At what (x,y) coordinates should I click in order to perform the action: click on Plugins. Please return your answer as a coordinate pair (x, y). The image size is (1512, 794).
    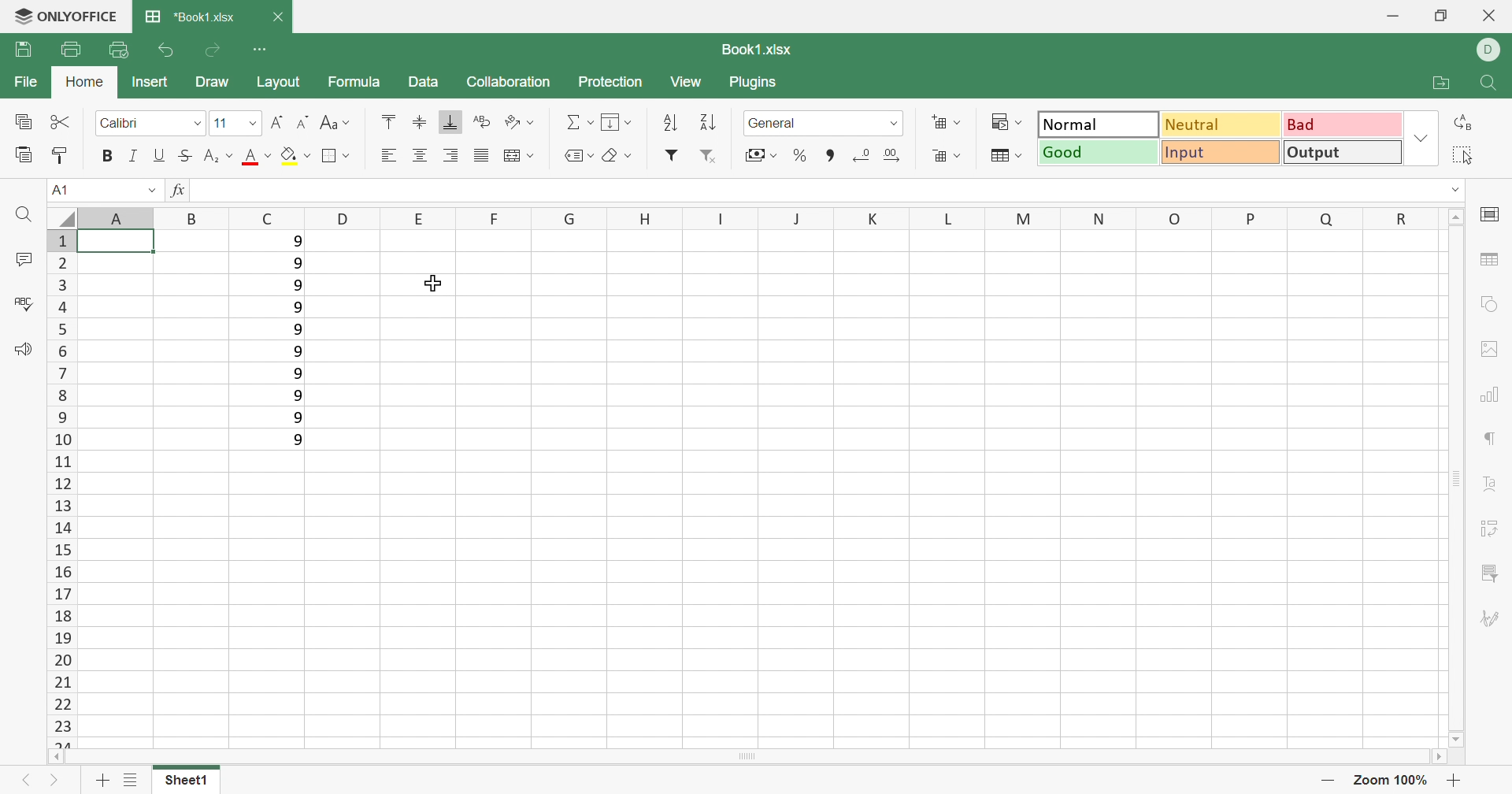
    Looking at the image, I should click on (758, 85).